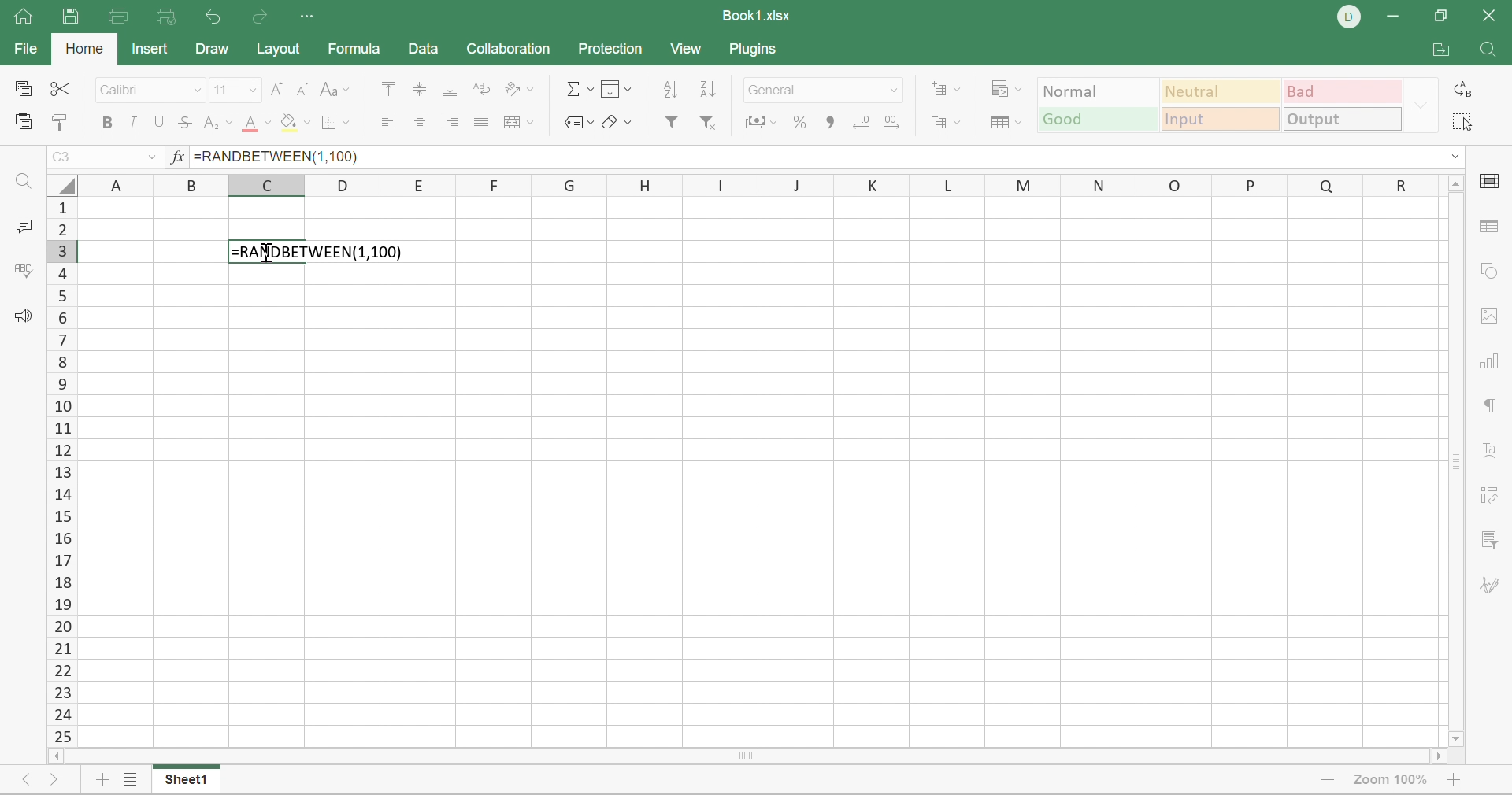 Image resolution: width=1512 pixels, height=795 pixels. I want to click on Zoom Out, so click(1329, 780).